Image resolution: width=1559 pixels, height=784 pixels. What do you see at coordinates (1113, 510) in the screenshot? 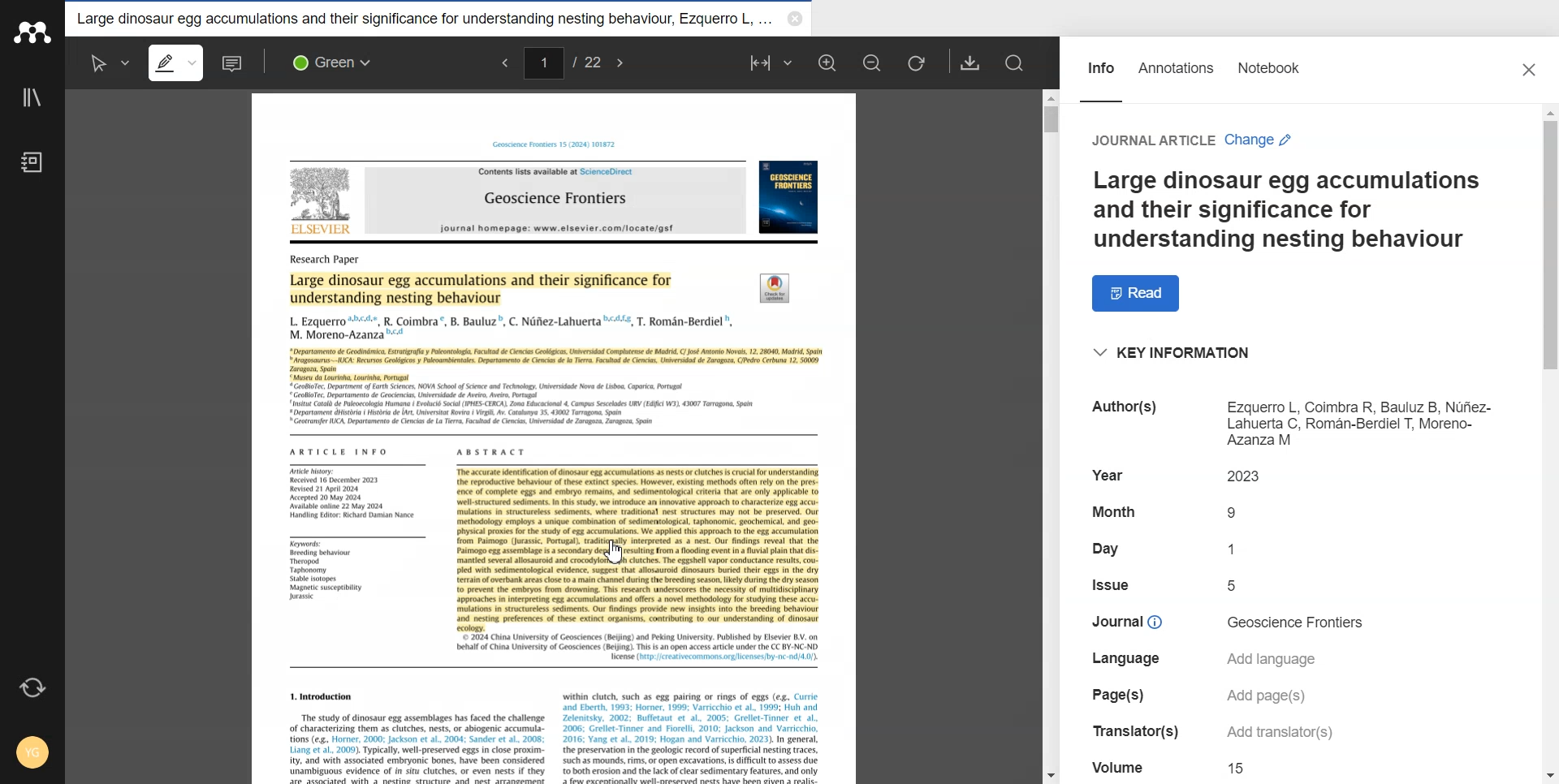
I see `text` at bounding box center [1113, 510].